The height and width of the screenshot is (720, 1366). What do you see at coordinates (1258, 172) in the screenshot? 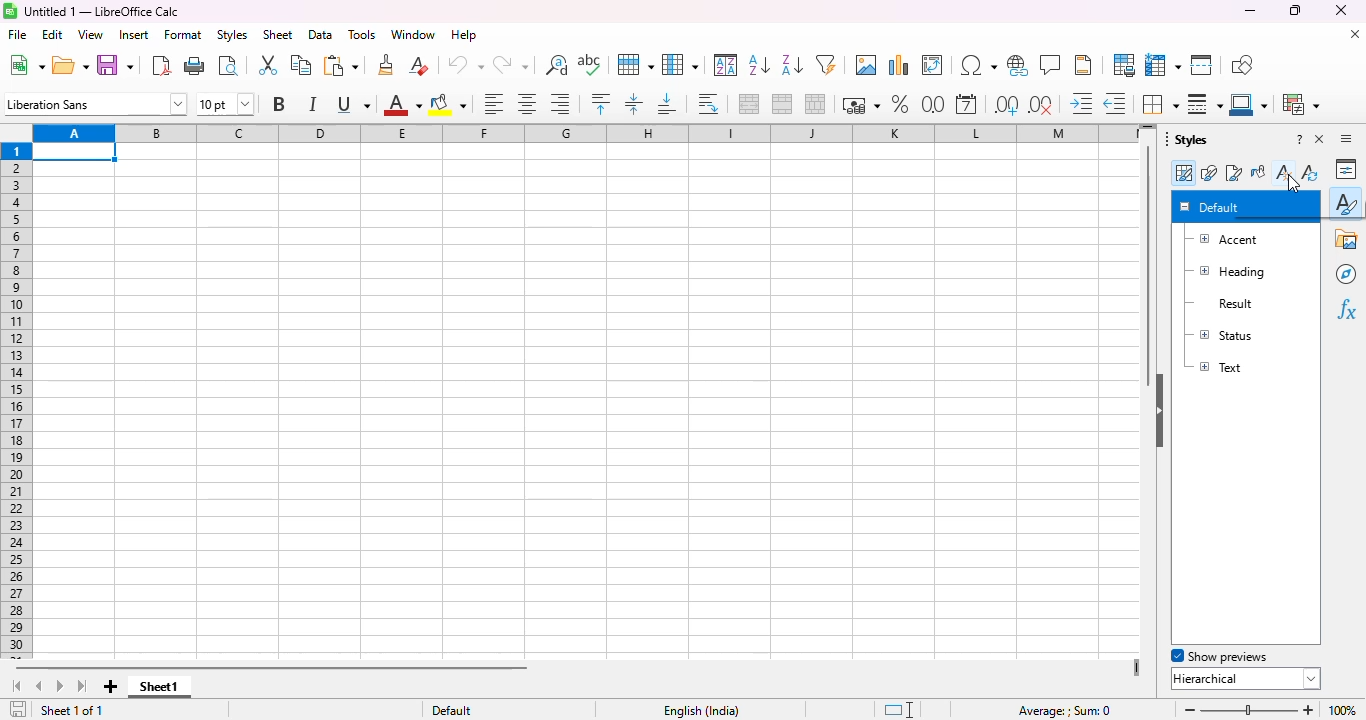
I see `fill format mode` at bounding box center [1258, 172].